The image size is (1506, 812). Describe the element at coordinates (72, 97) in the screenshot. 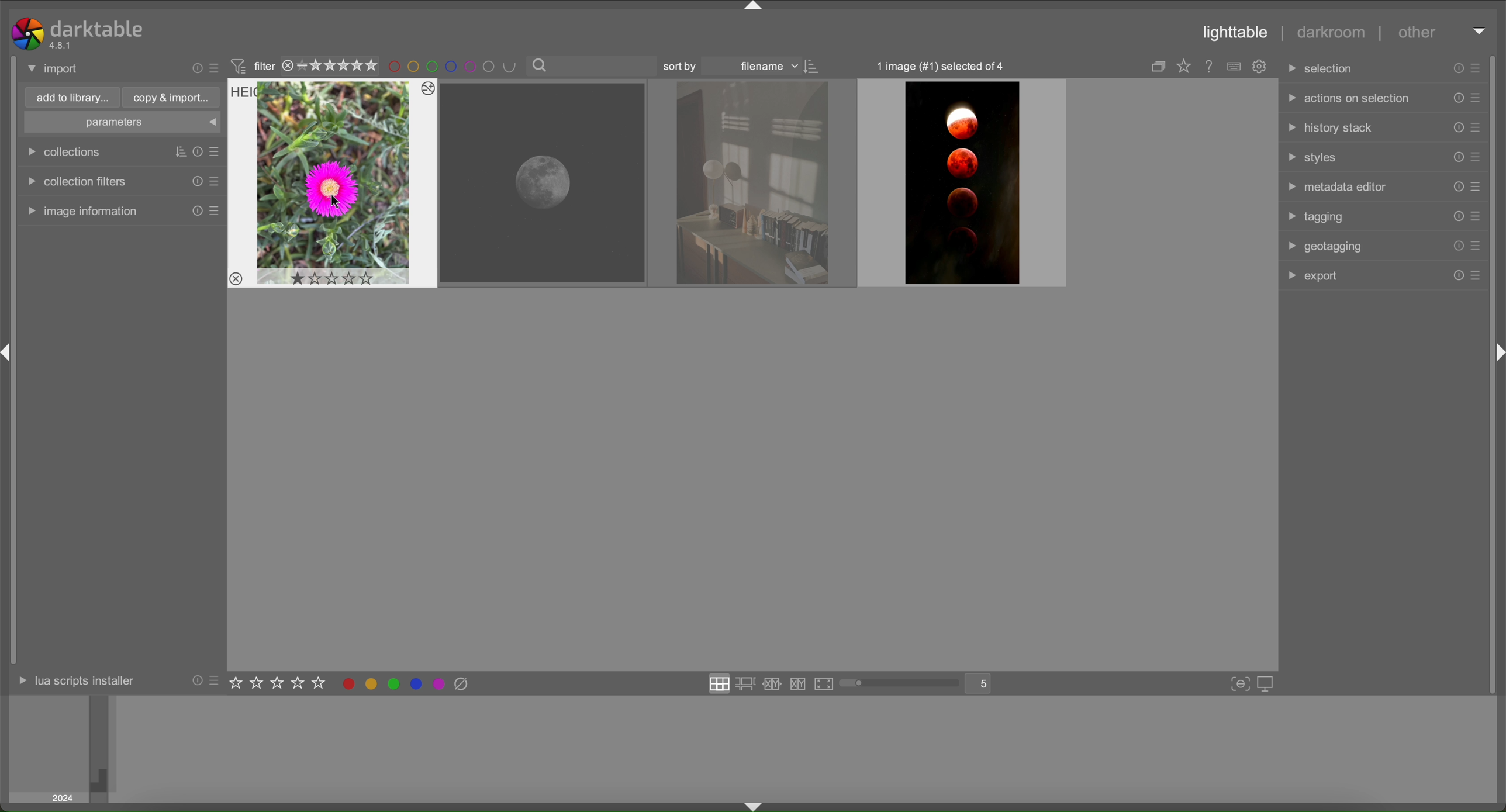

I see `add to library ` at that location.